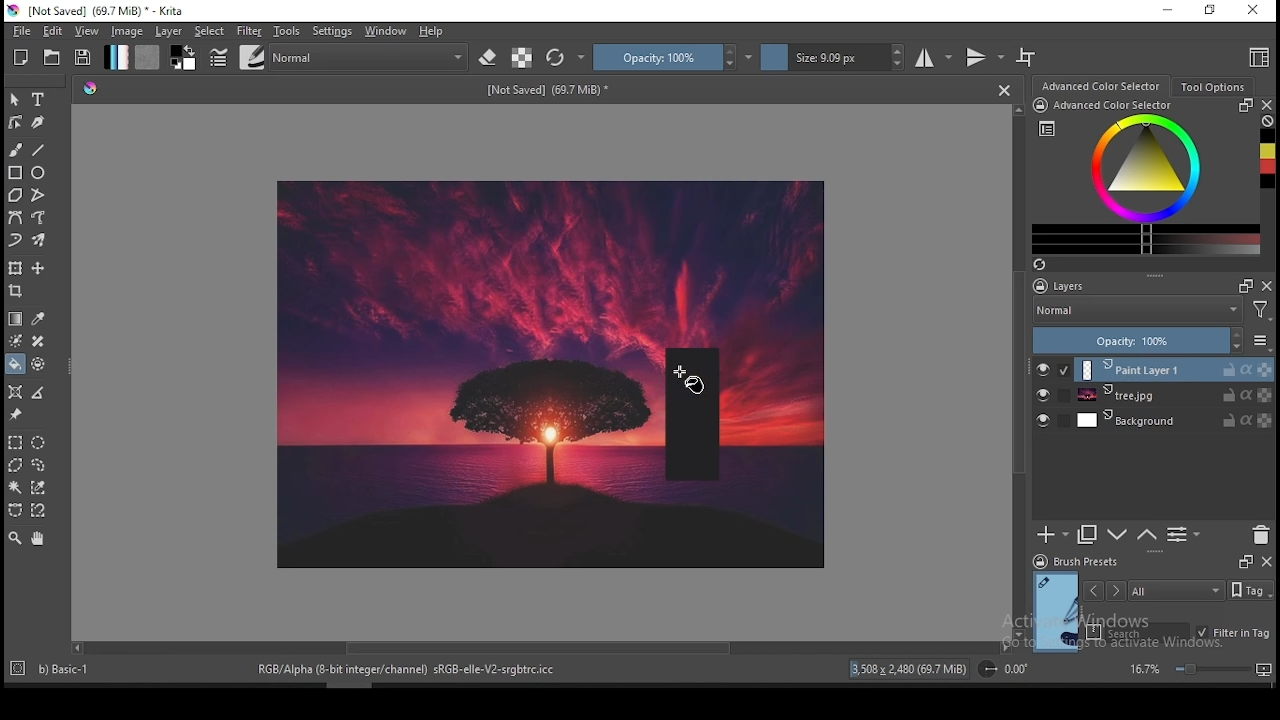 The image size is (1280, 720). Describe the element at coordinates (52, 31) in the screenshot. I see `edit` at that location.